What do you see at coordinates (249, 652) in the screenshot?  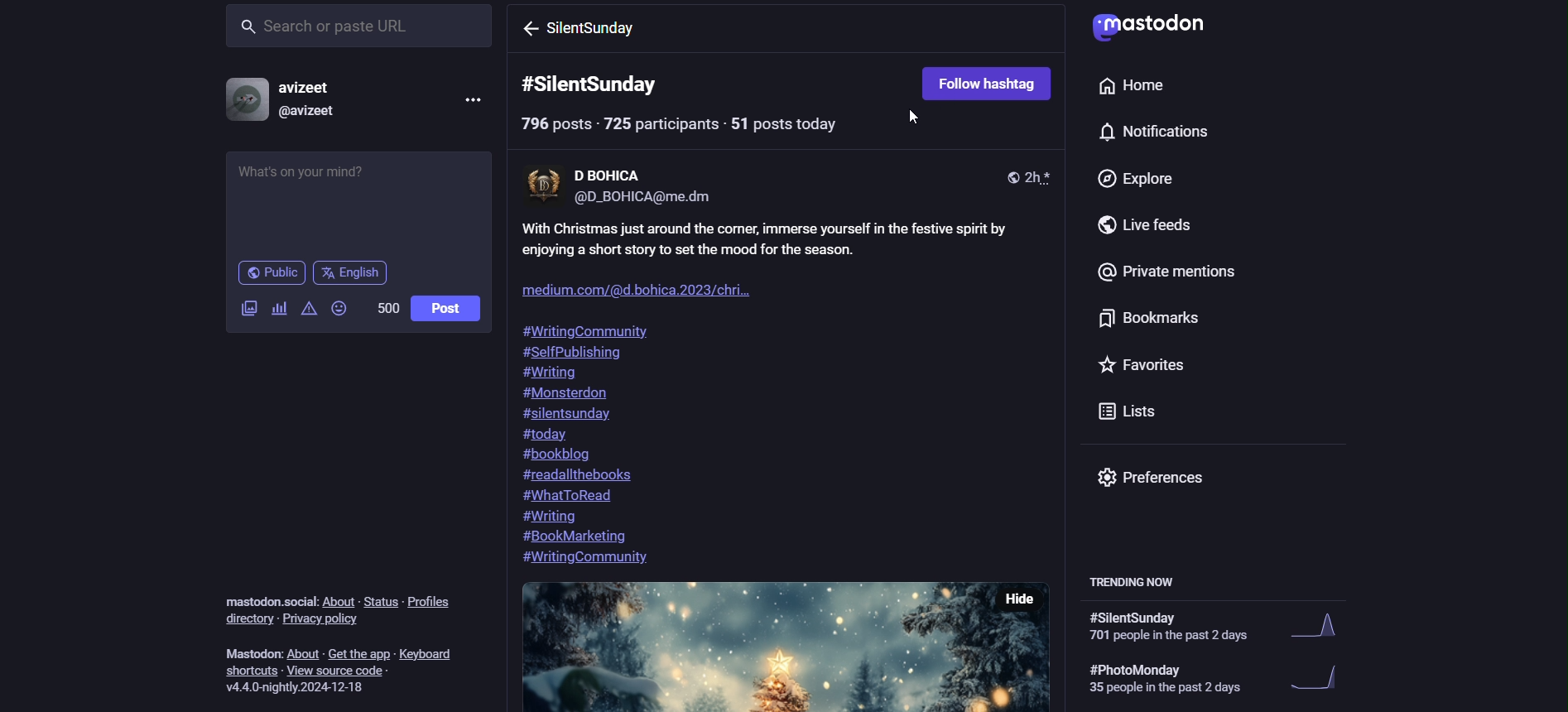 I see `mastodon` at bounding box center [249, 652].